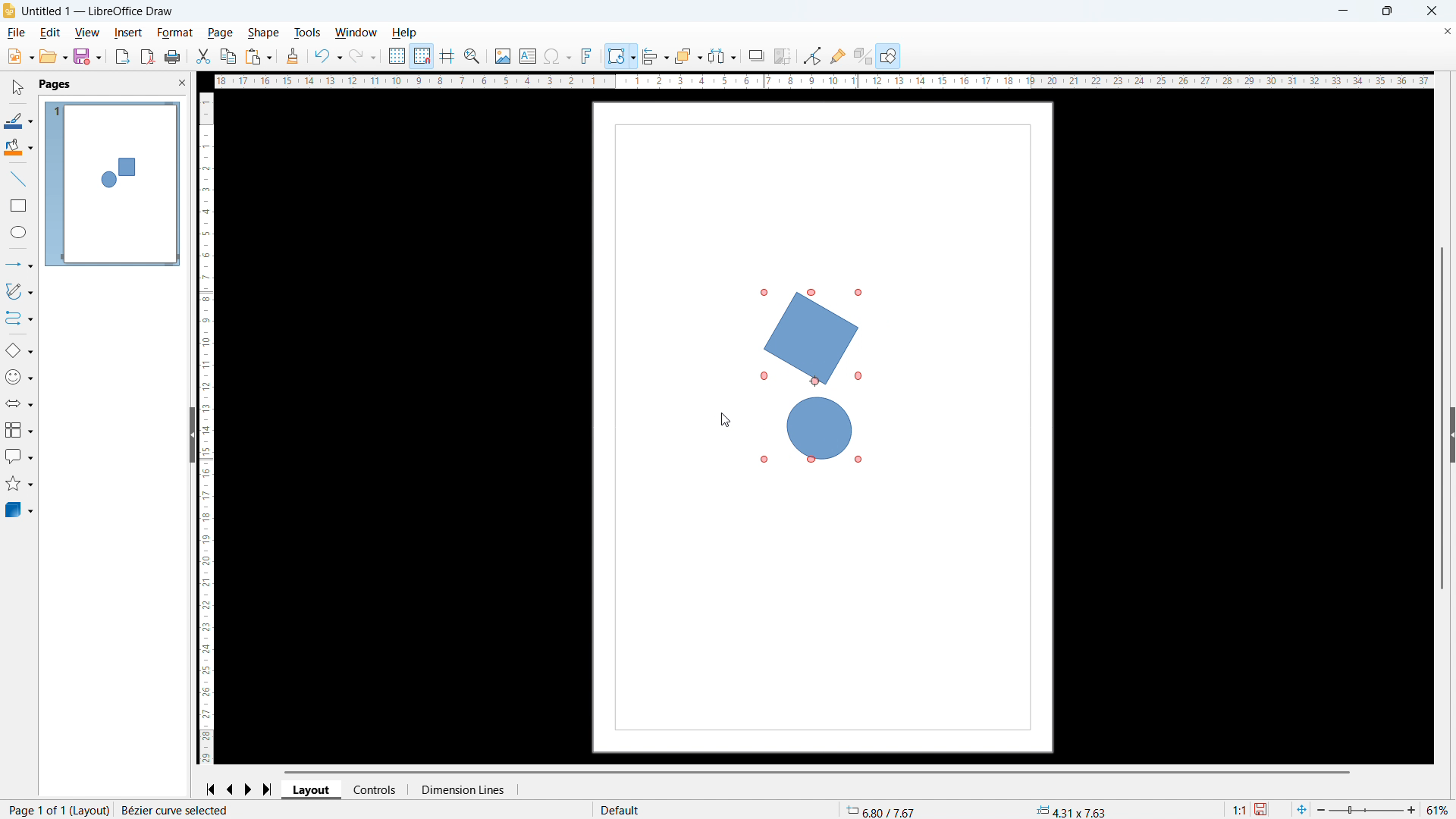 This screenshot has width=1456, height=819. Describe the element at coordinates (250, 789) in the screenshot. I see `Next page ` at that location.